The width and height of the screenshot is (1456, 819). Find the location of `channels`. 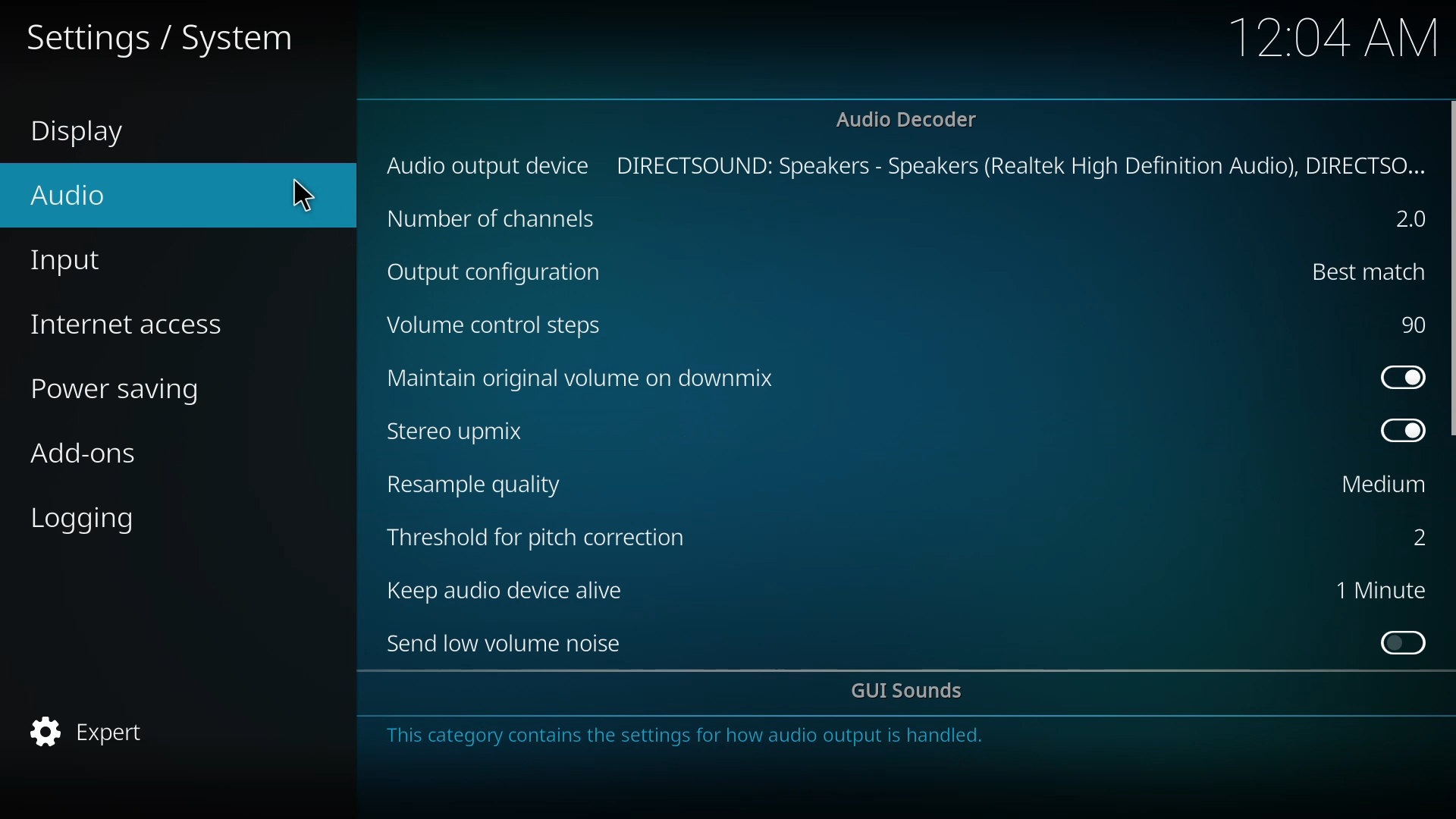

channels is located at coordinates (497, 216).